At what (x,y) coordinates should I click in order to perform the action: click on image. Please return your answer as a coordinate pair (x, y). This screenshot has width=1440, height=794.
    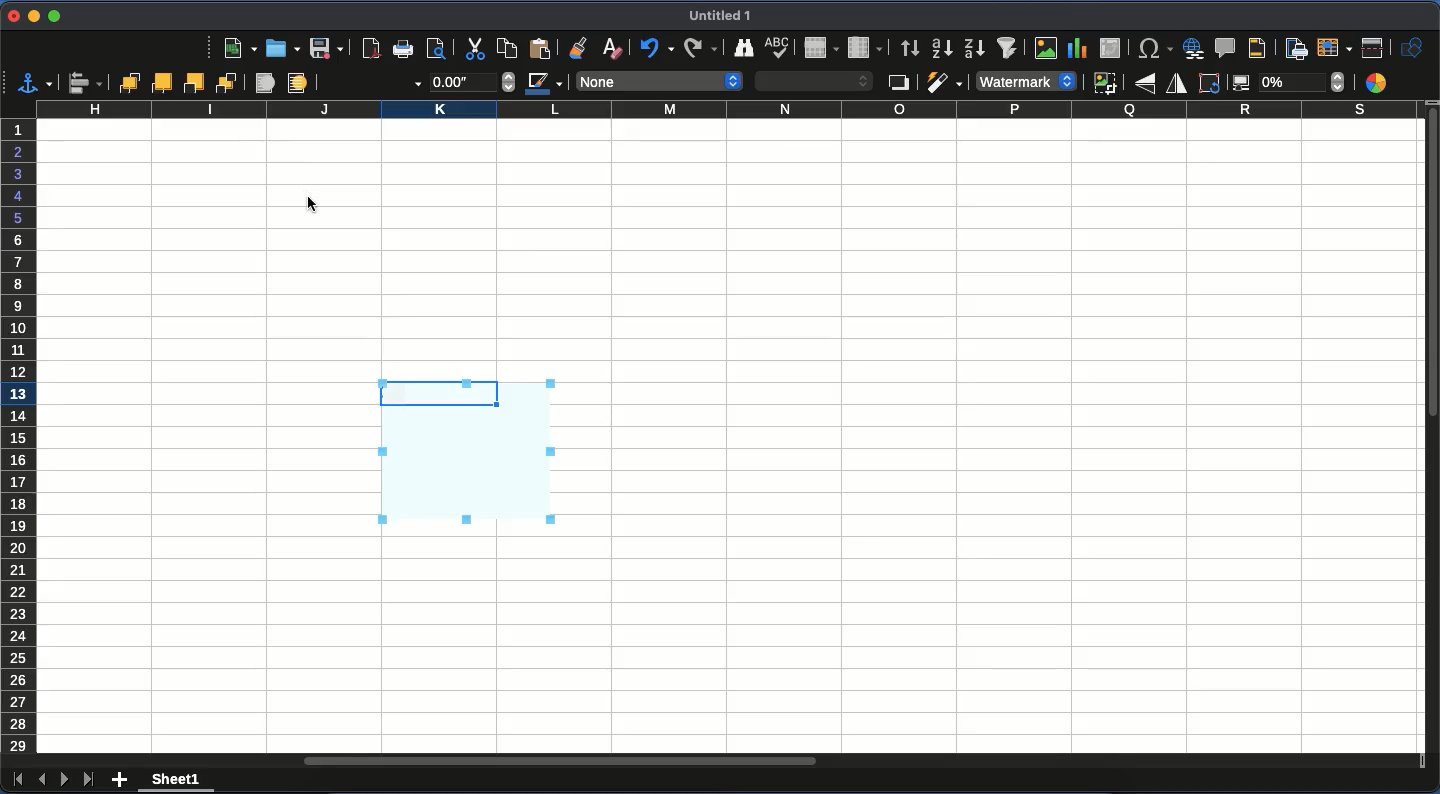
    Looking at the image, I should click on (1048, 48).